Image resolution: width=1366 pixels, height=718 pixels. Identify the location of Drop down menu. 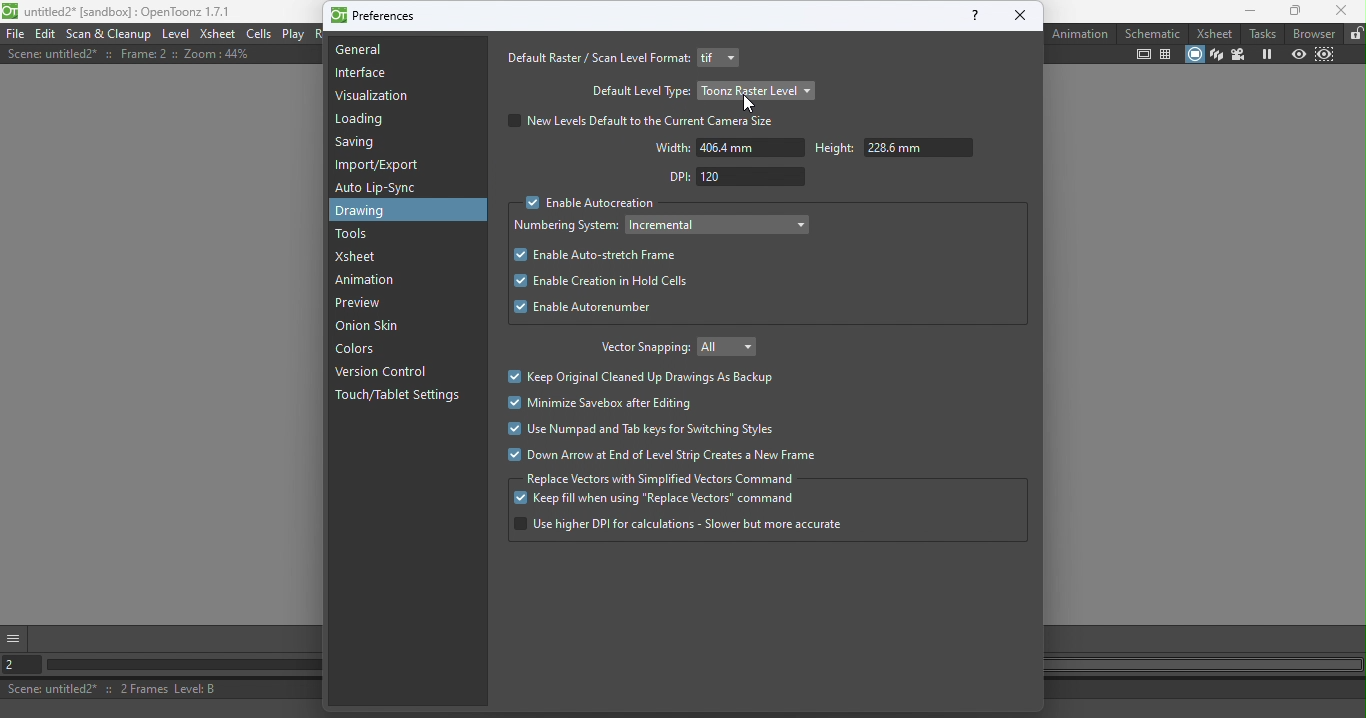
(734, 345).